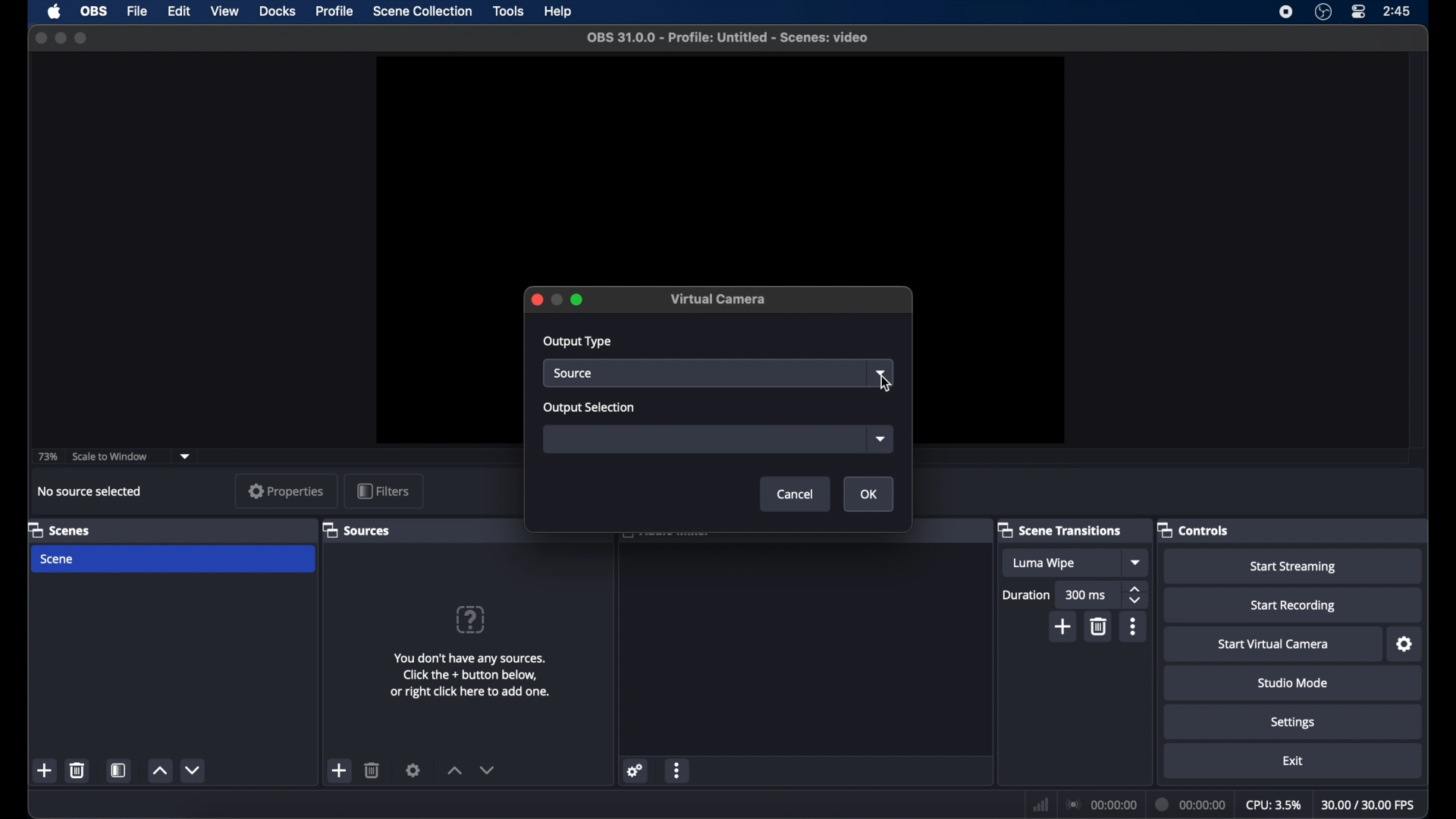 This screenshot has height=819, width=1456. I want to click on studio mode, so click(1293, 682).